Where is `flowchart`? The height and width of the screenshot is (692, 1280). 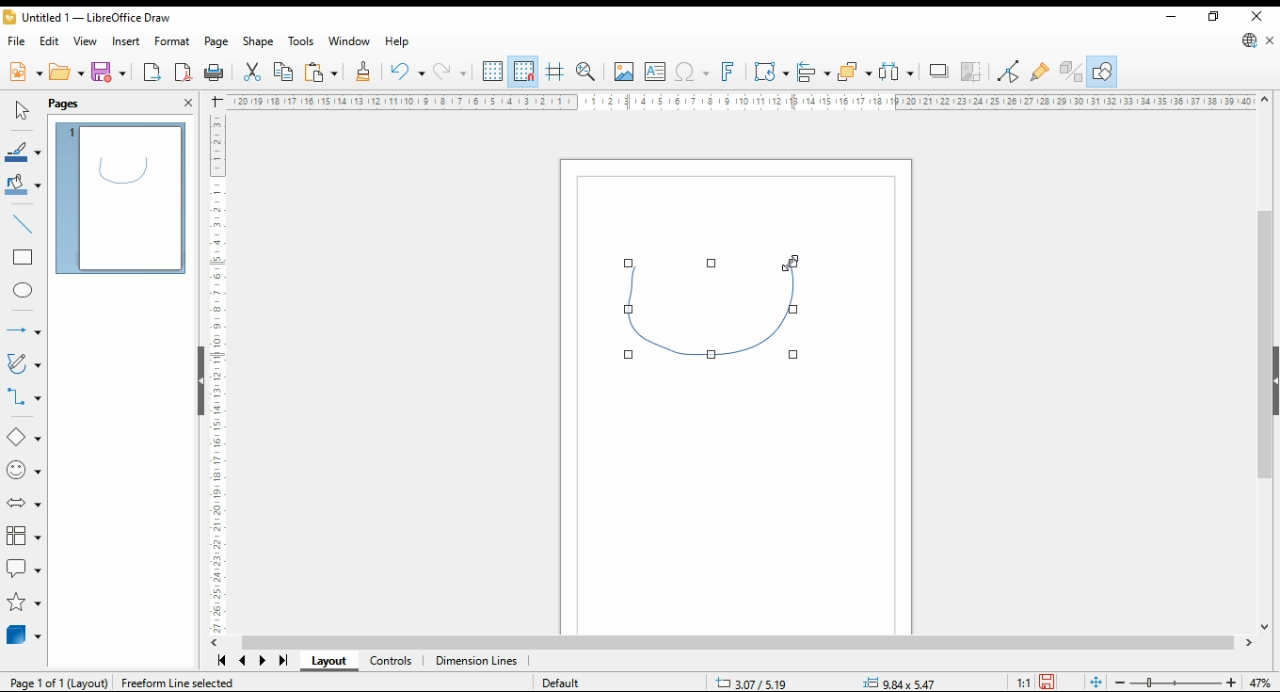
flowchart is located at coordinates (22, 535).